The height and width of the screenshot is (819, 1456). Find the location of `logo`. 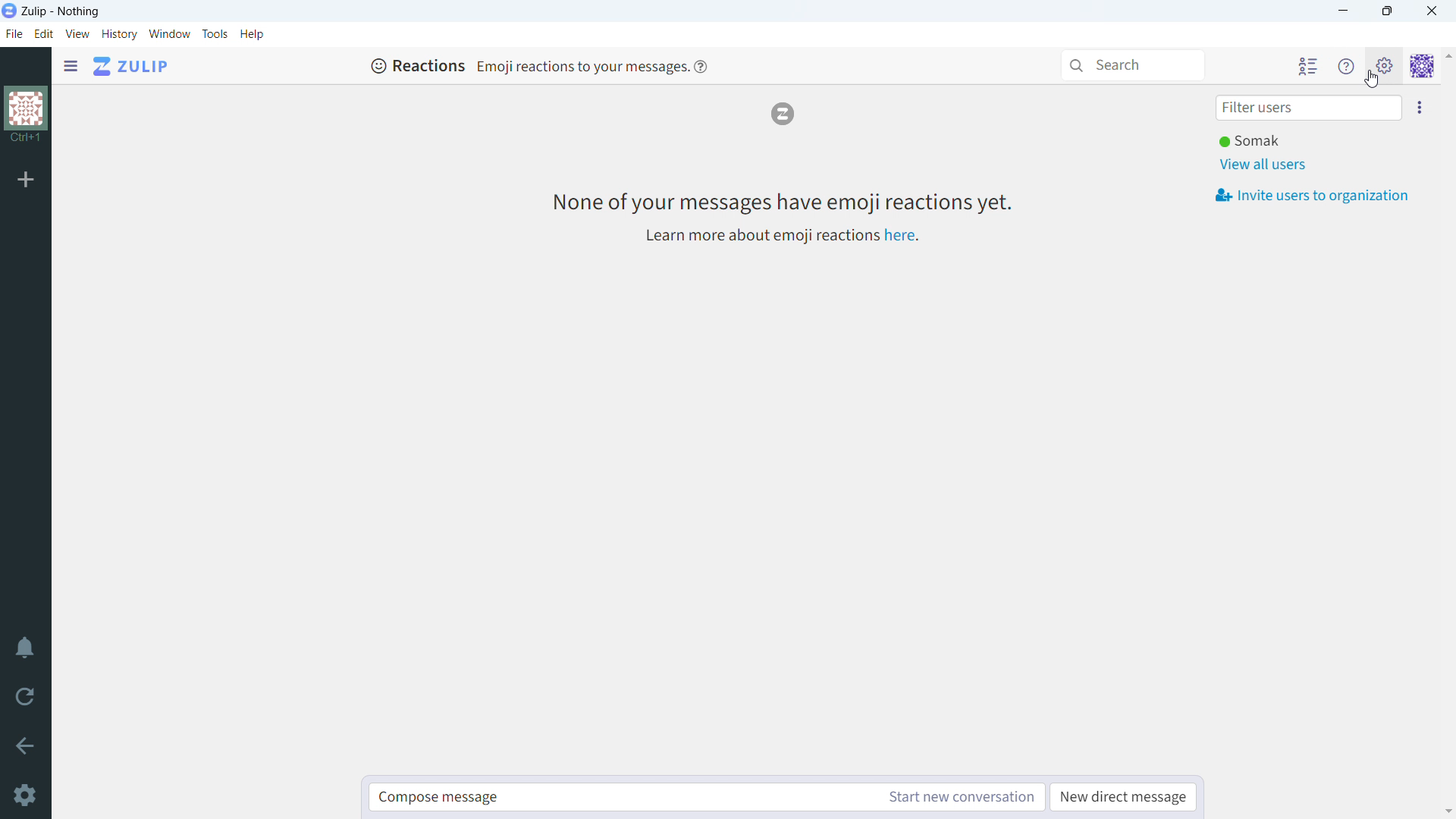

logo is located at coordinates (782, 114).